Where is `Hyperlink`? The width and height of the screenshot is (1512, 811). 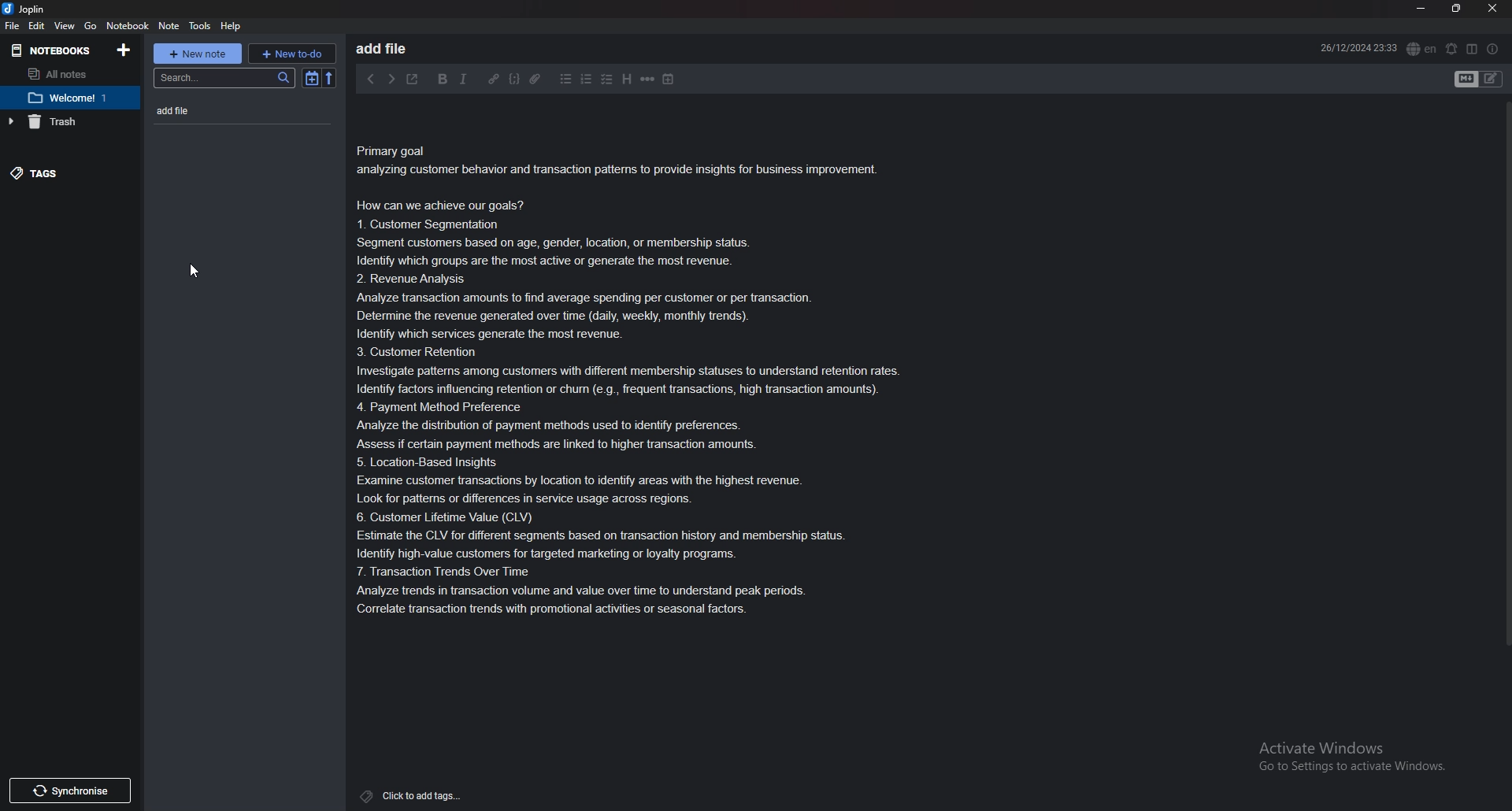
Hyperlink is located at coordinates (494, 80).